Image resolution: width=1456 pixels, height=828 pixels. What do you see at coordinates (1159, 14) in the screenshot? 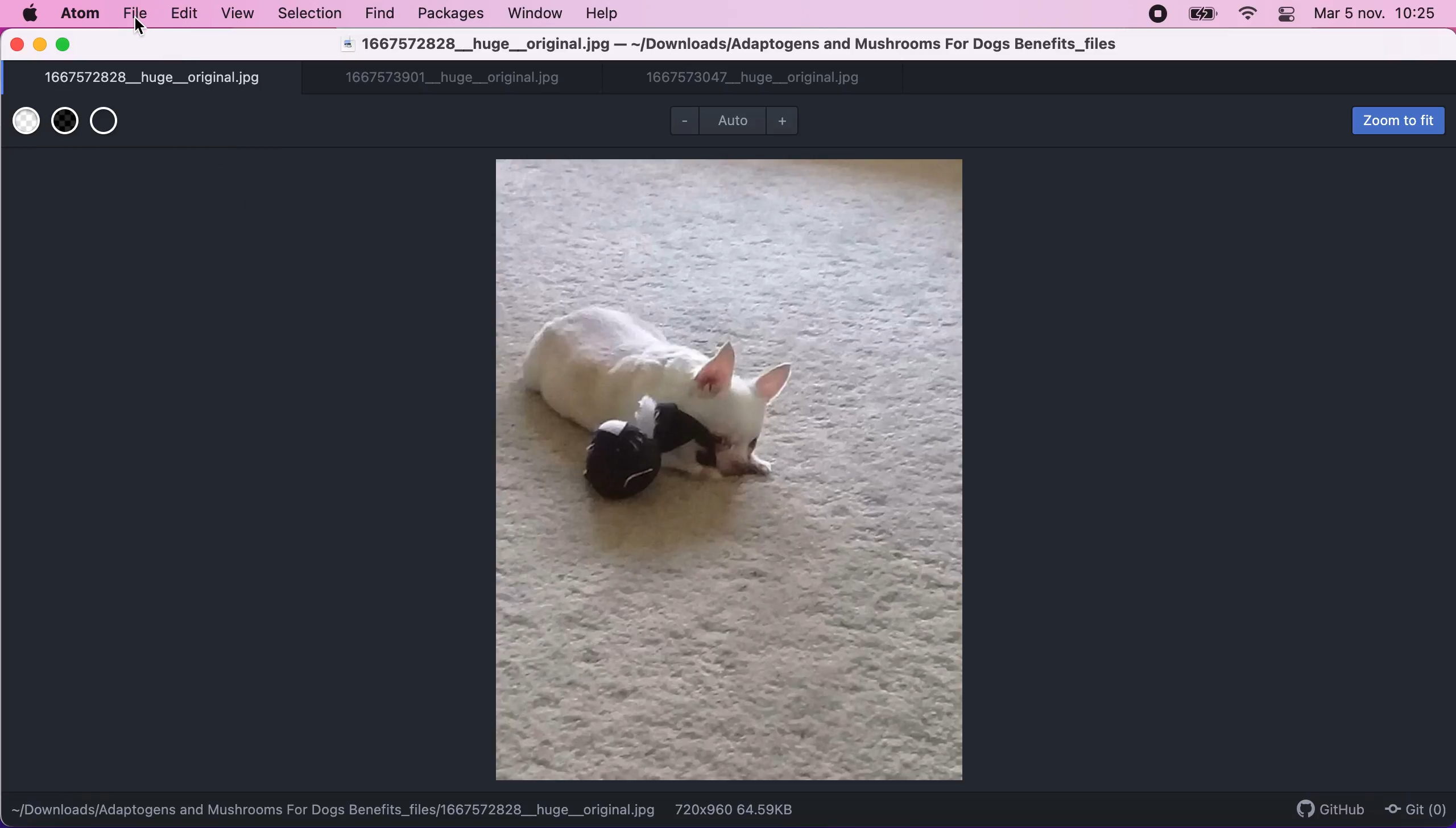
I see `recording stopped` at bounding box center [1159, 14].